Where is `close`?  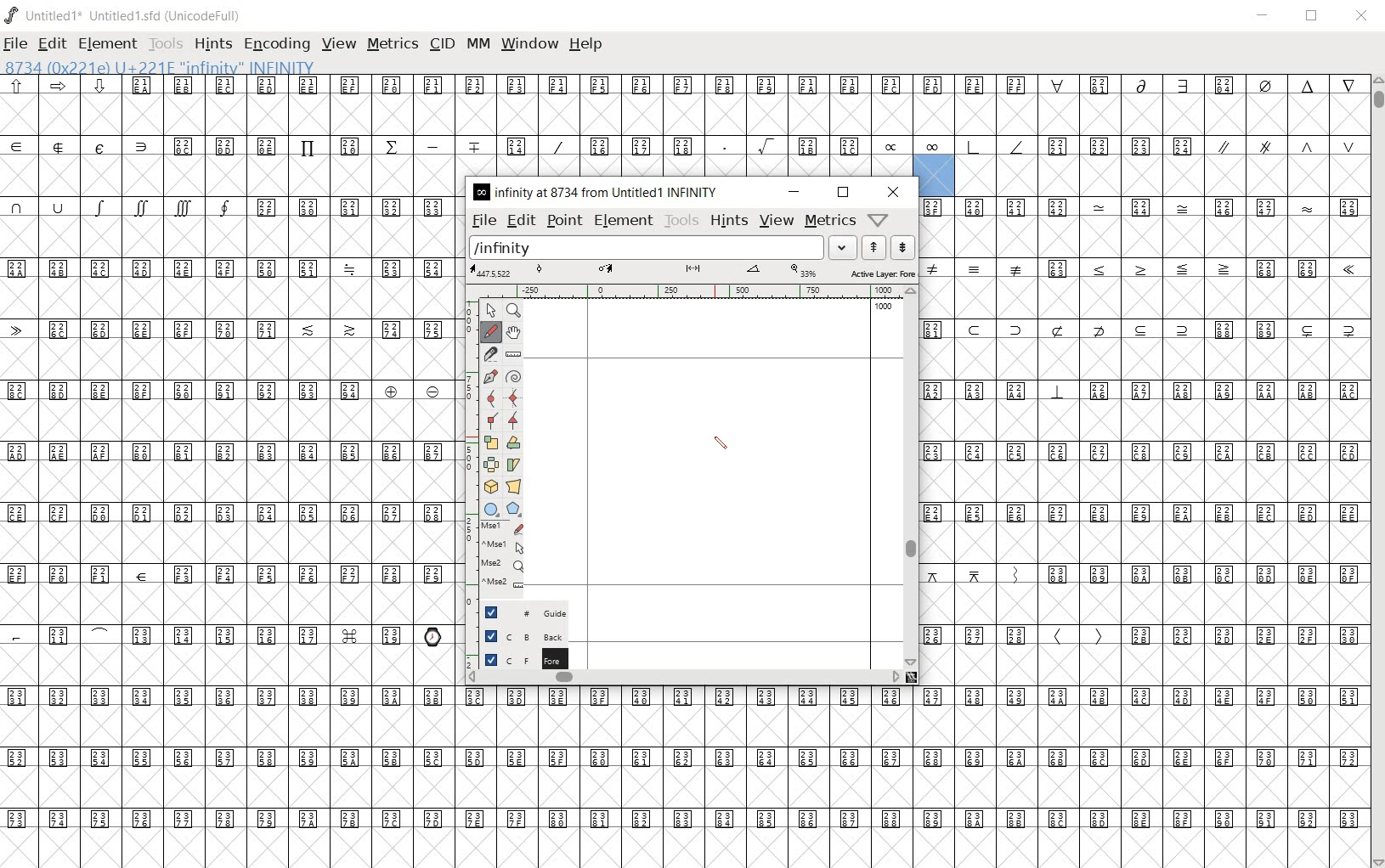 close is located at coordinates (895, 192).